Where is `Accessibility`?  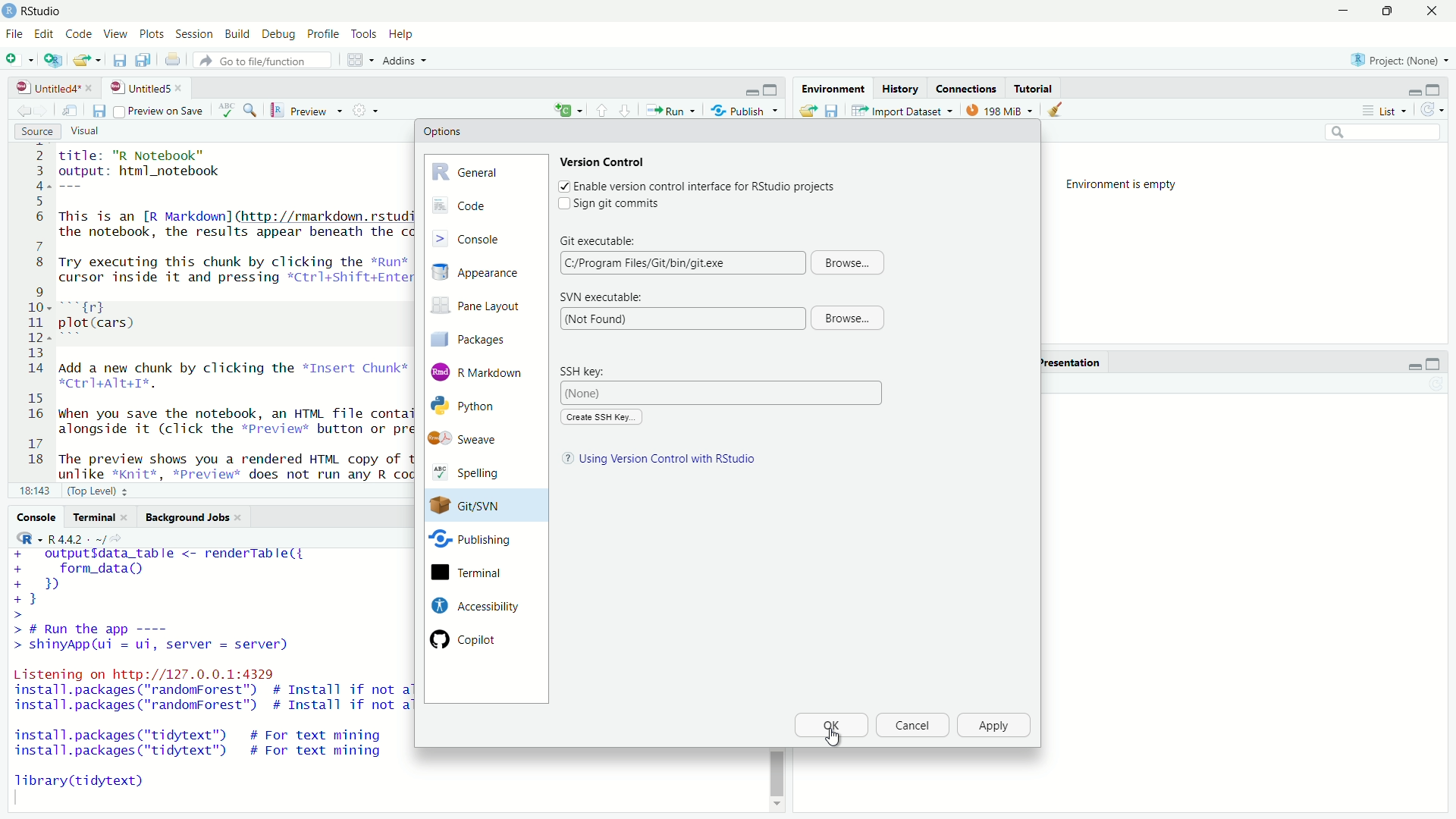 Accessibility is located at coordinates (473, 605).